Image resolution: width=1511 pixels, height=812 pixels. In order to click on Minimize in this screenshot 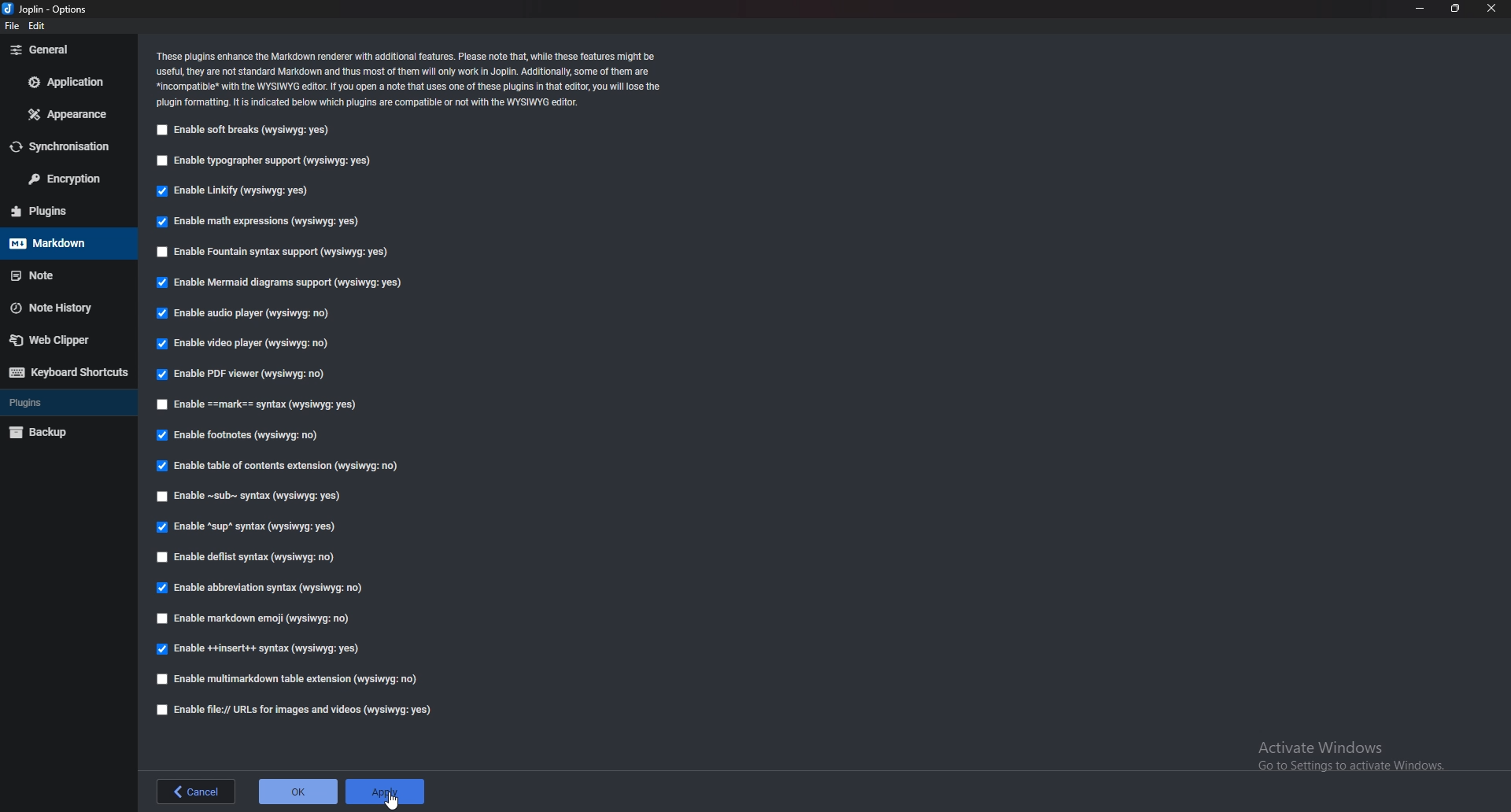, I will do `click(1419, 8)`.